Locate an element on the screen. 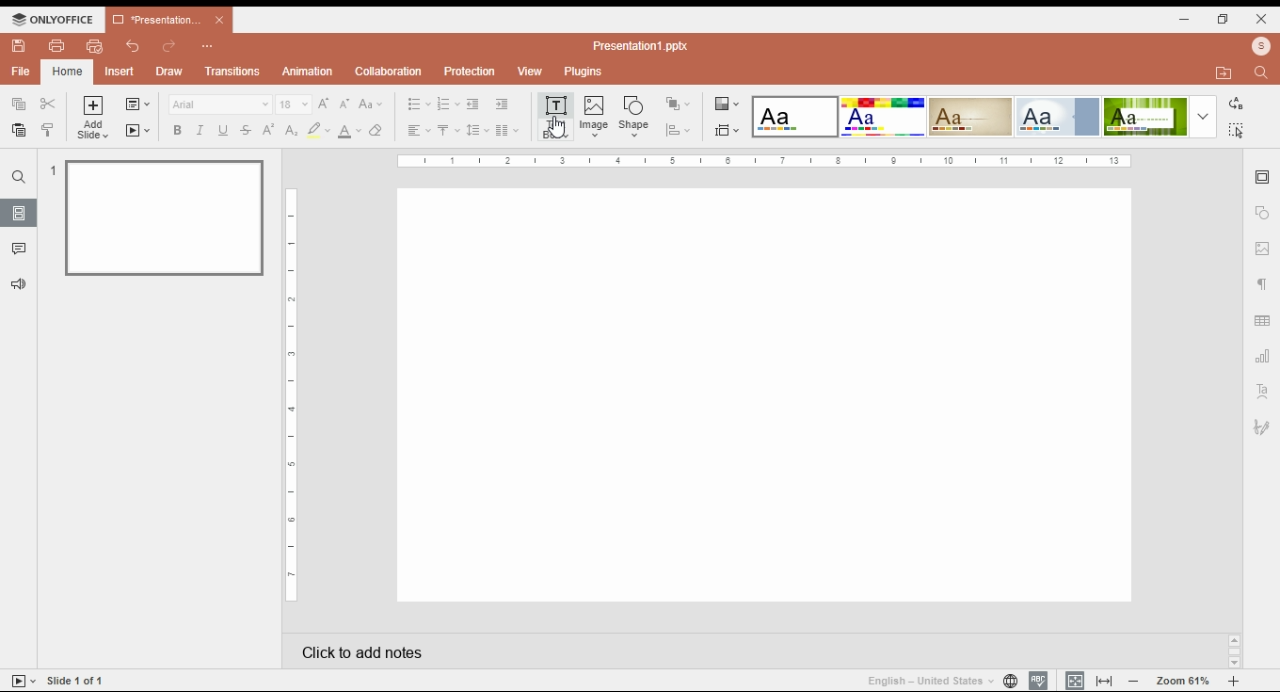 This screenshot has height=692, width=1280. horizontal alignment is located at coordinates (417, 131).